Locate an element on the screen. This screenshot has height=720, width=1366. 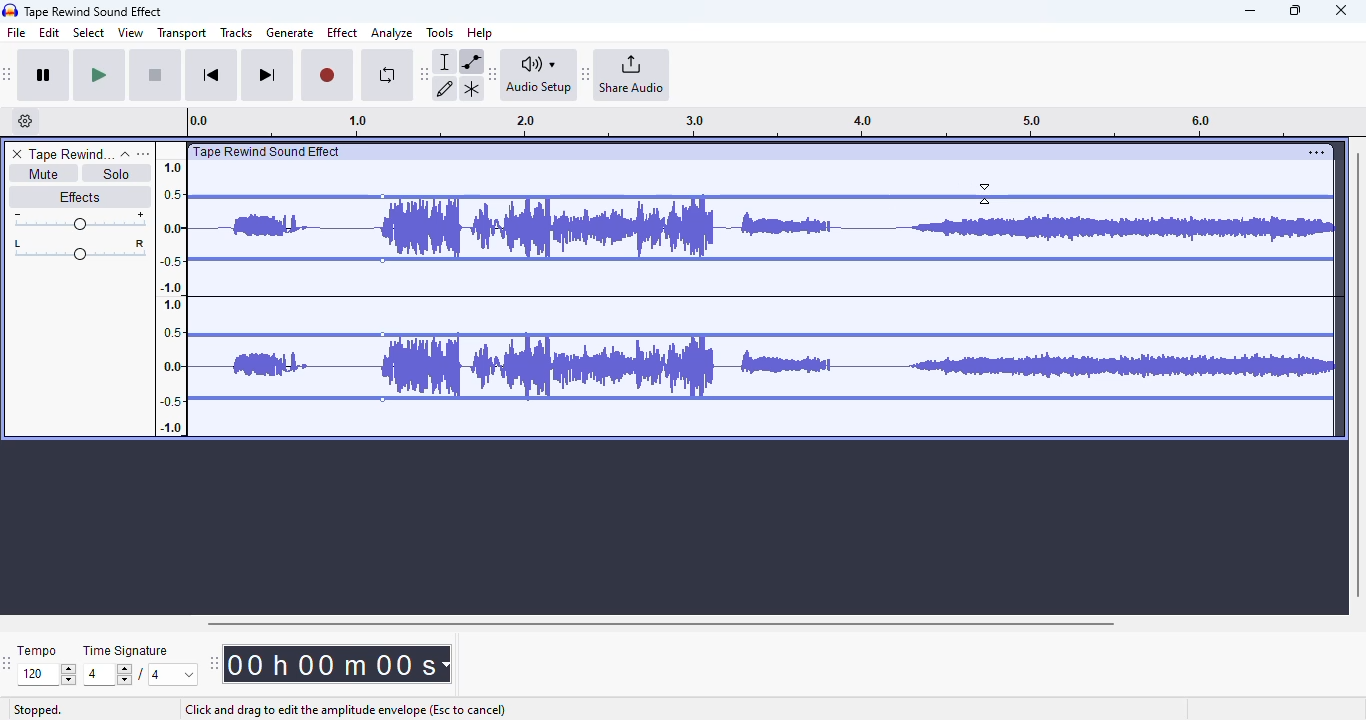
file is located at coordinates (17, 33).